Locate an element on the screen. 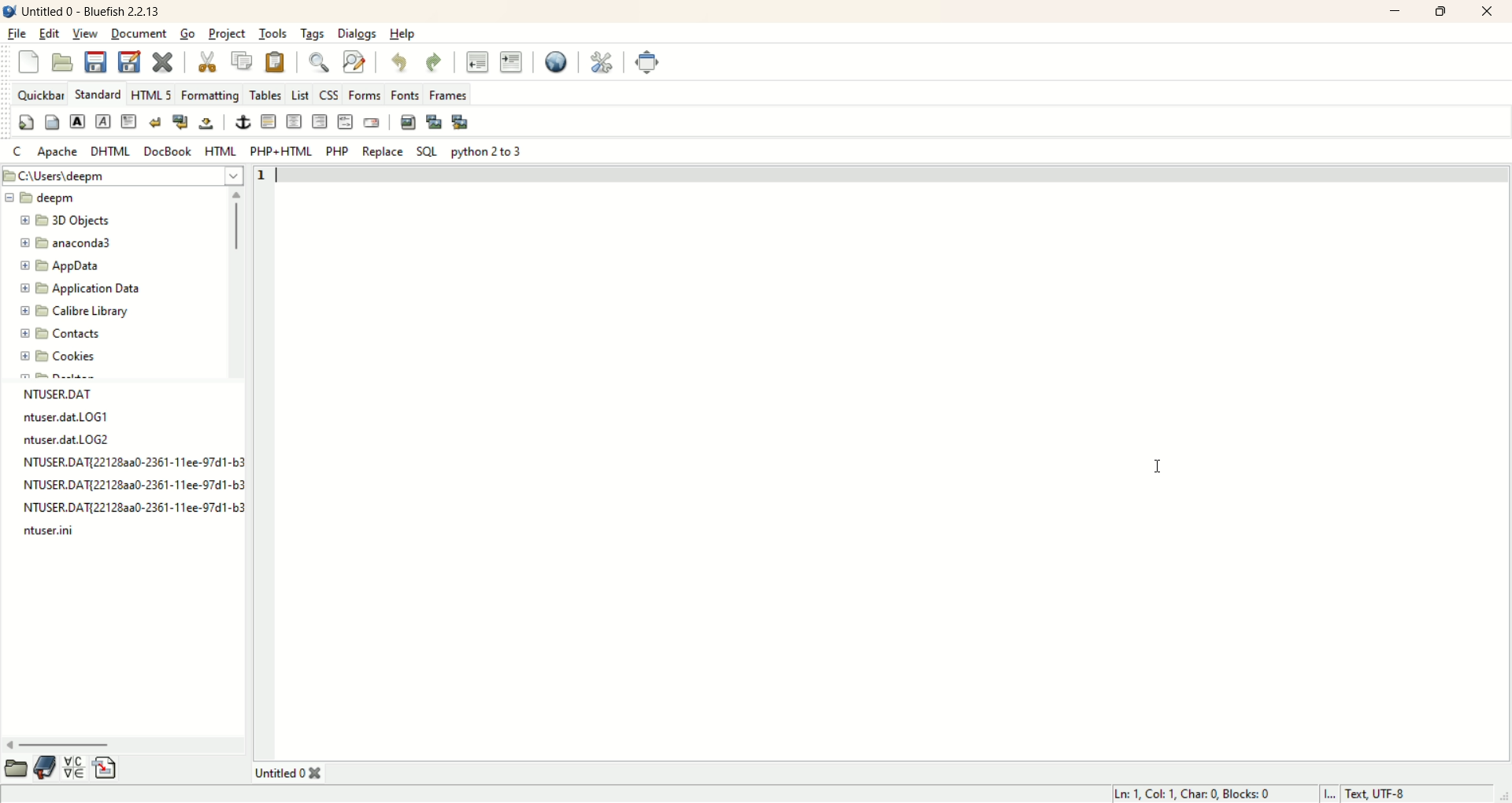 This screenshot has width=1512, height=803. break and clean is located at coordinates (180, 124).